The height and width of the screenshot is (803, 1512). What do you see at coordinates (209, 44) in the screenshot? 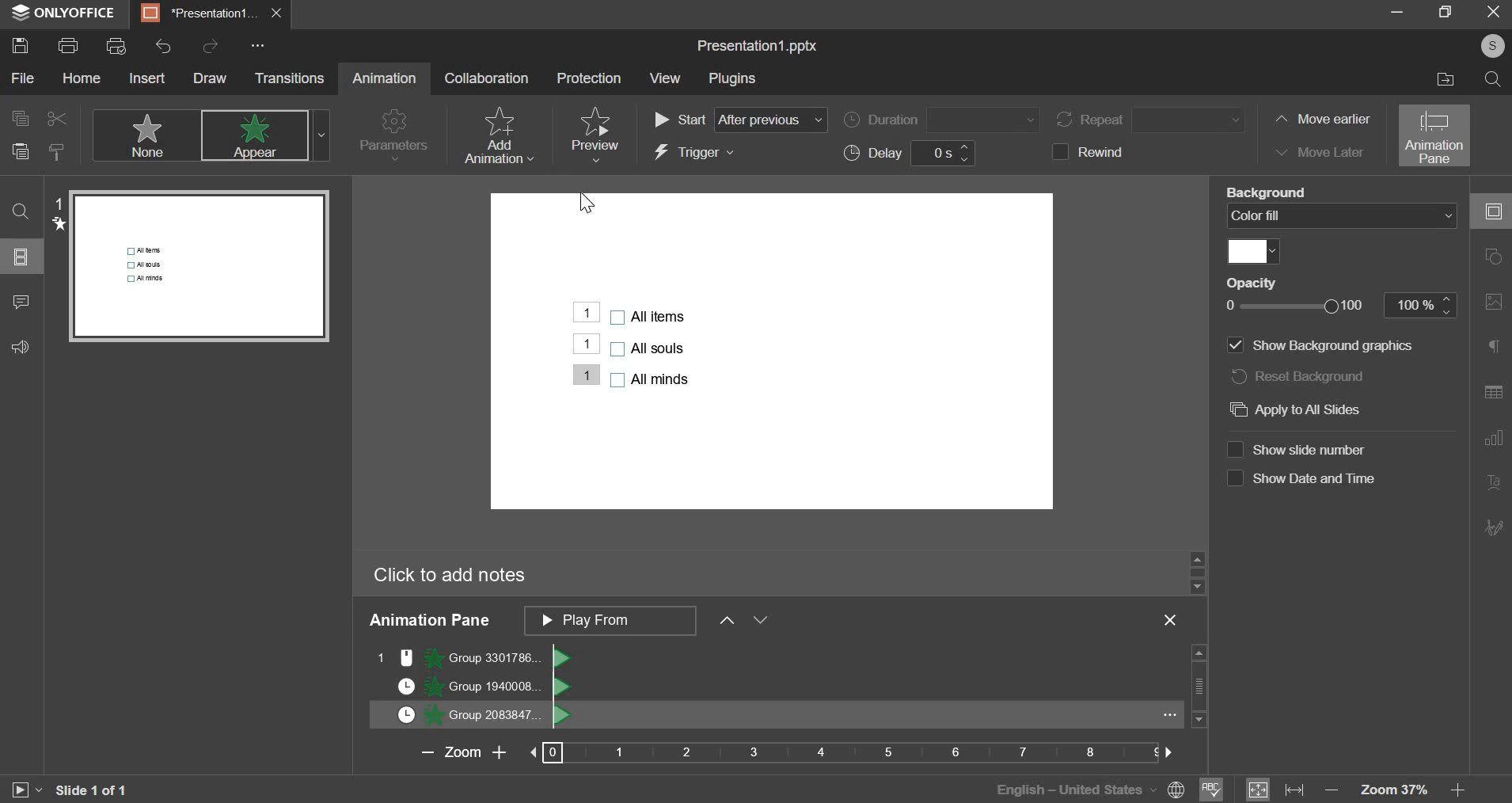
I see `redo` at bounding box center [209, 44].